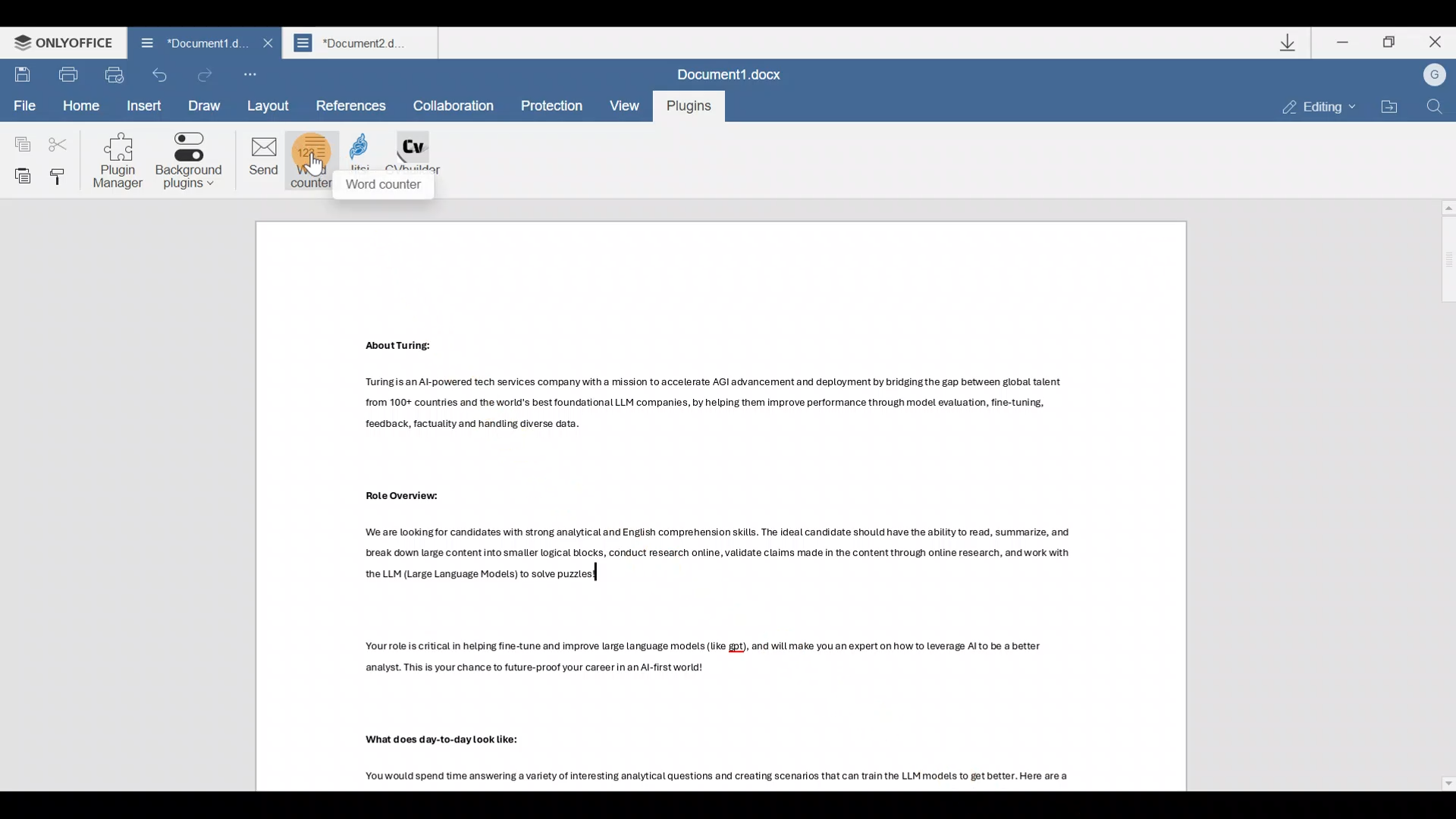 This screenshot has width=1456, height=819. What do you see at coordinates (124, 161) in the screenshot?
I see `Plugin manager` at bounding box center [124, 161].